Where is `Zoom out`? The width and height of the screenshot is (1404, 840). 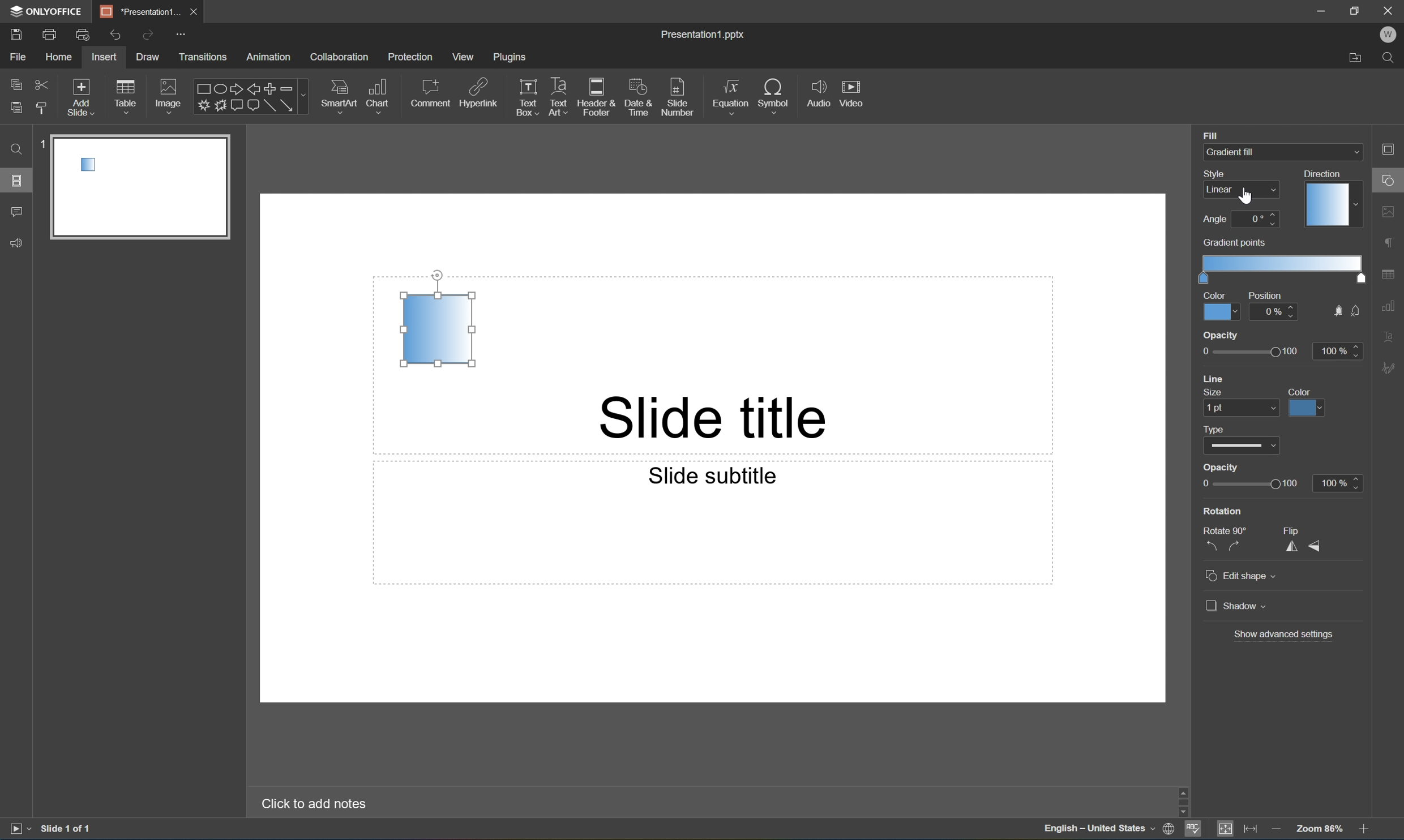
Zoom out is located at coordinates (1273, 827).